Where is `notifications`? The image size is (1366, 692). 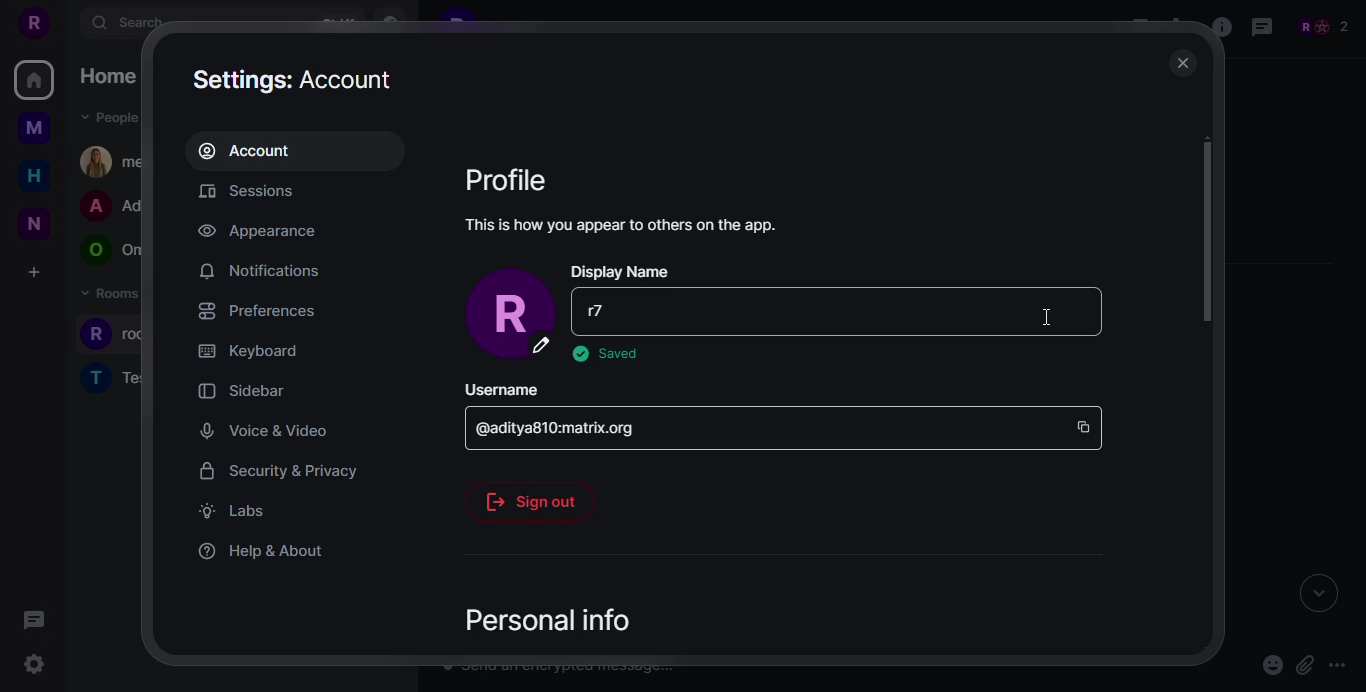 notifications is located at coordinates (261, 269).